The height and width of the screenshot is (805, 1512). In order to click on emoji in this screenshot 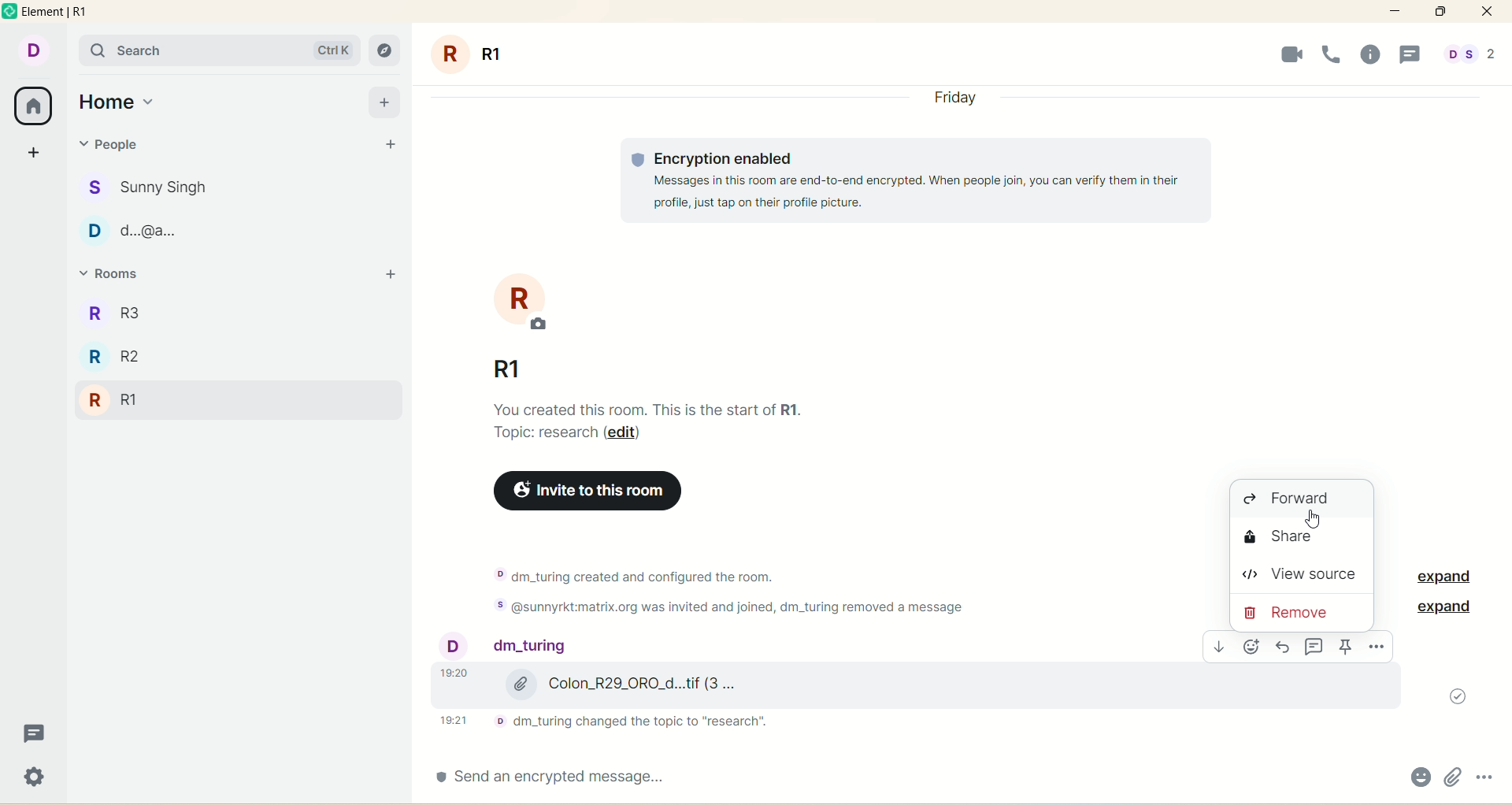, I will do `click(1418, 779)`.